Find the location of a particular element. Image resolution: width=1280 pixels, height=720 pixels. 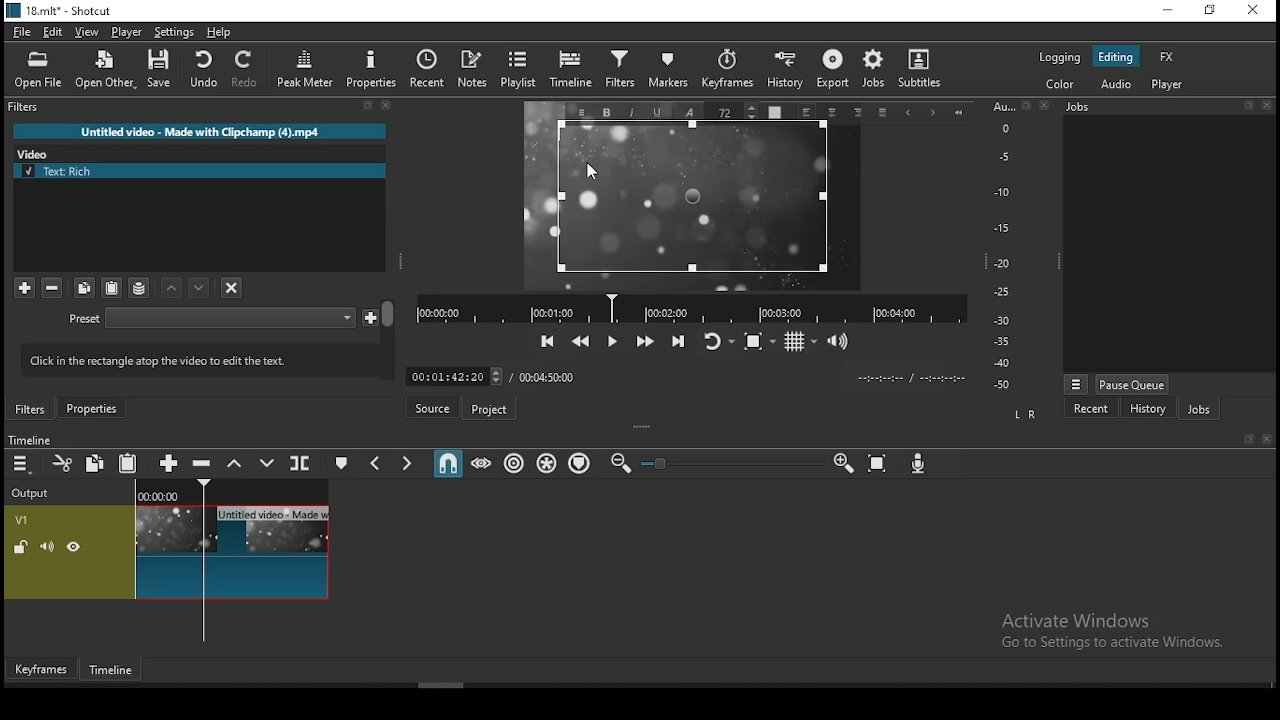

play quickly backwards is located at coordinates (580, 341).